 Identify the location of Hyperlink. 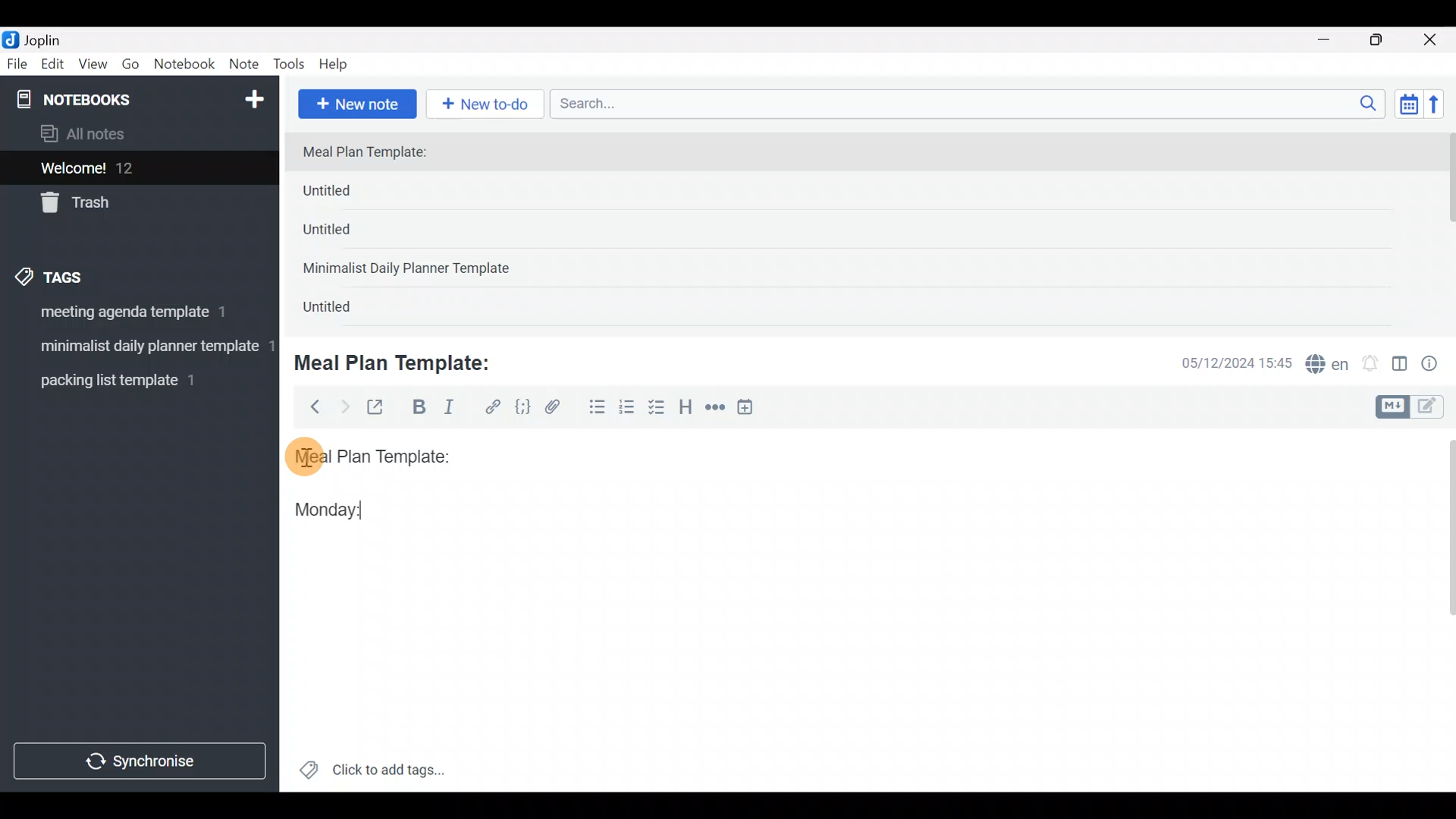
(493, 407).